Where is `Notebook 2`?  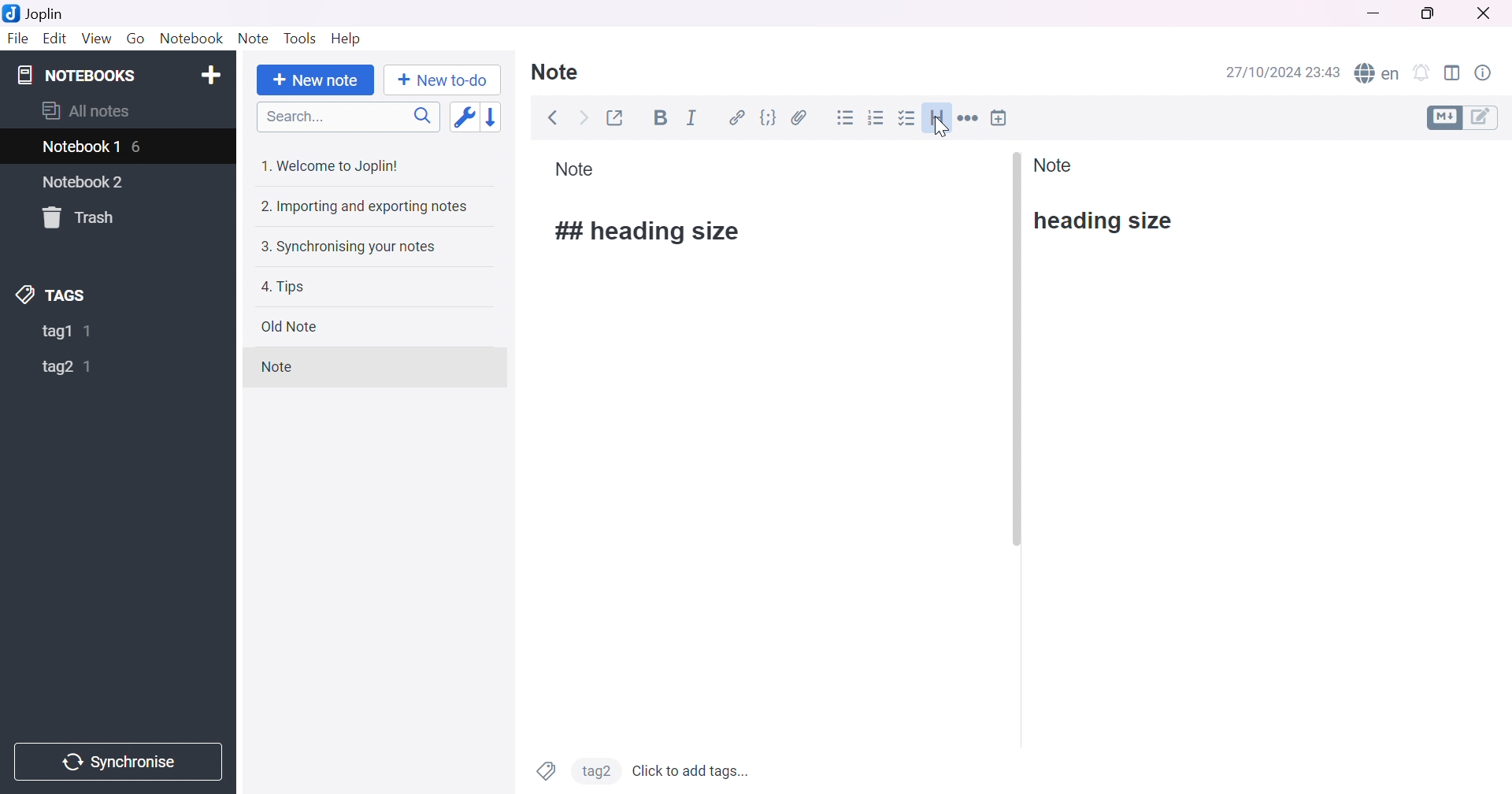
Notebook 2 is located at coordinates (84, 183).